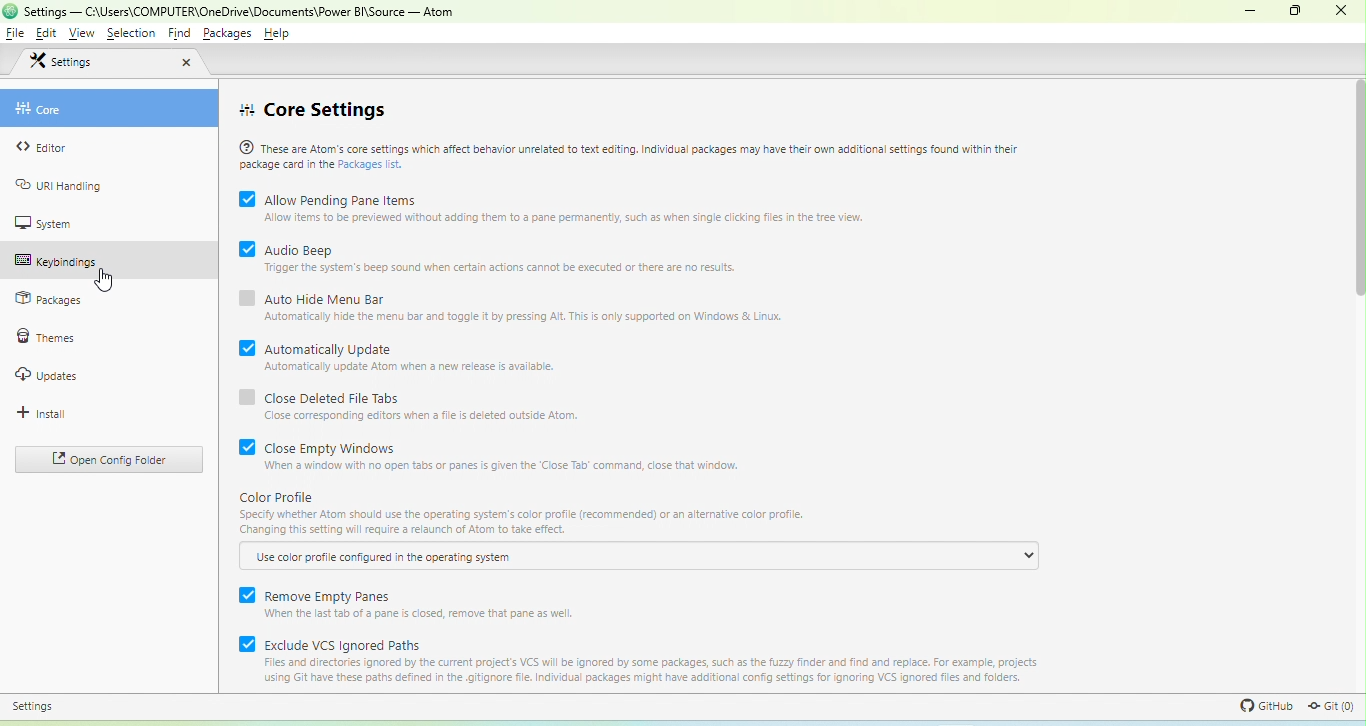  What do you see at coordinates (44, 224) in the screenshot?
I see `system` at bounding box center [44, 224].